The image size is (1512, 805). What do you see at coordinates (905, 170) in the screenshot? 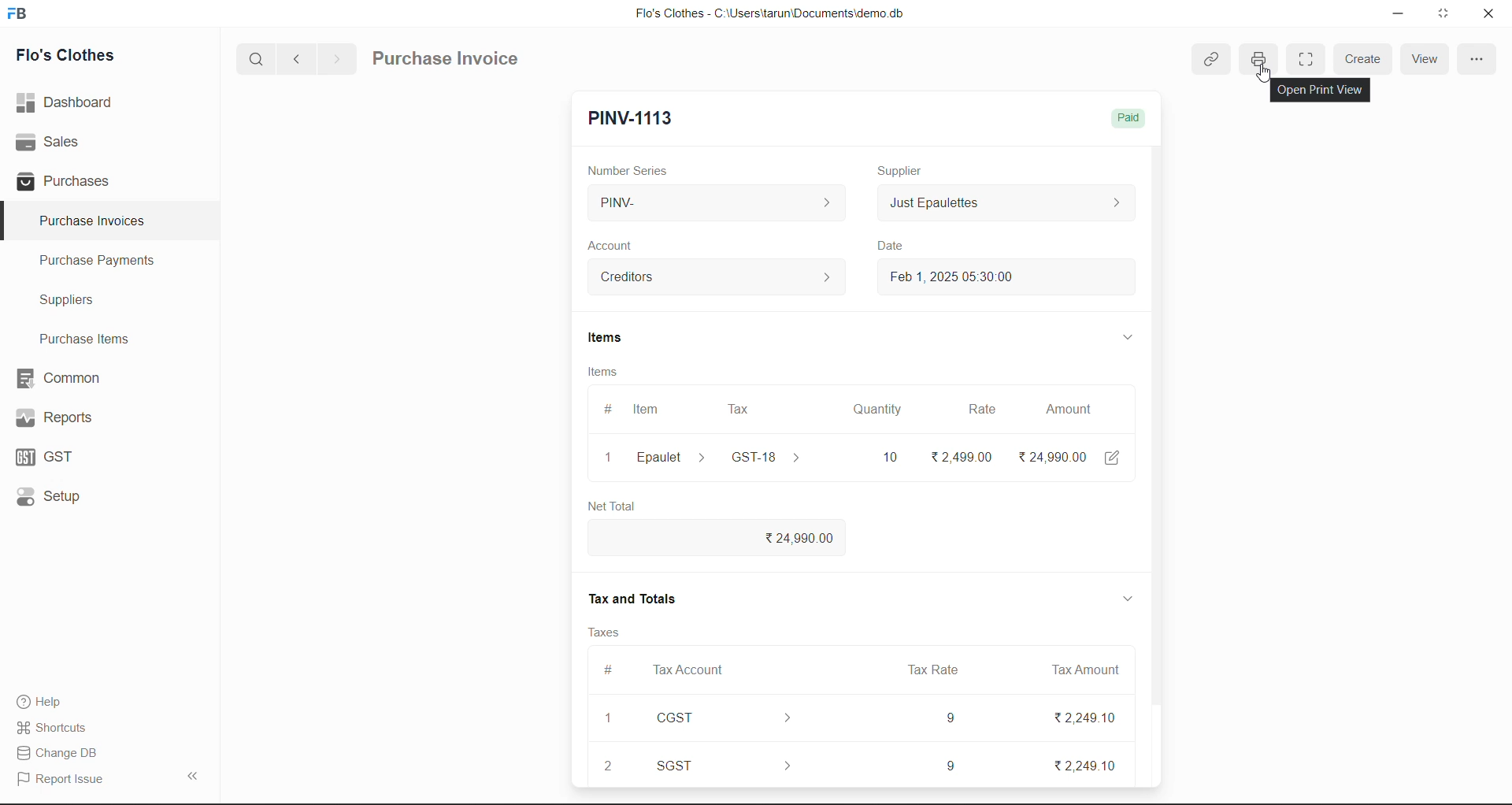
I see `Supplier` at bounding box center [905, 170].